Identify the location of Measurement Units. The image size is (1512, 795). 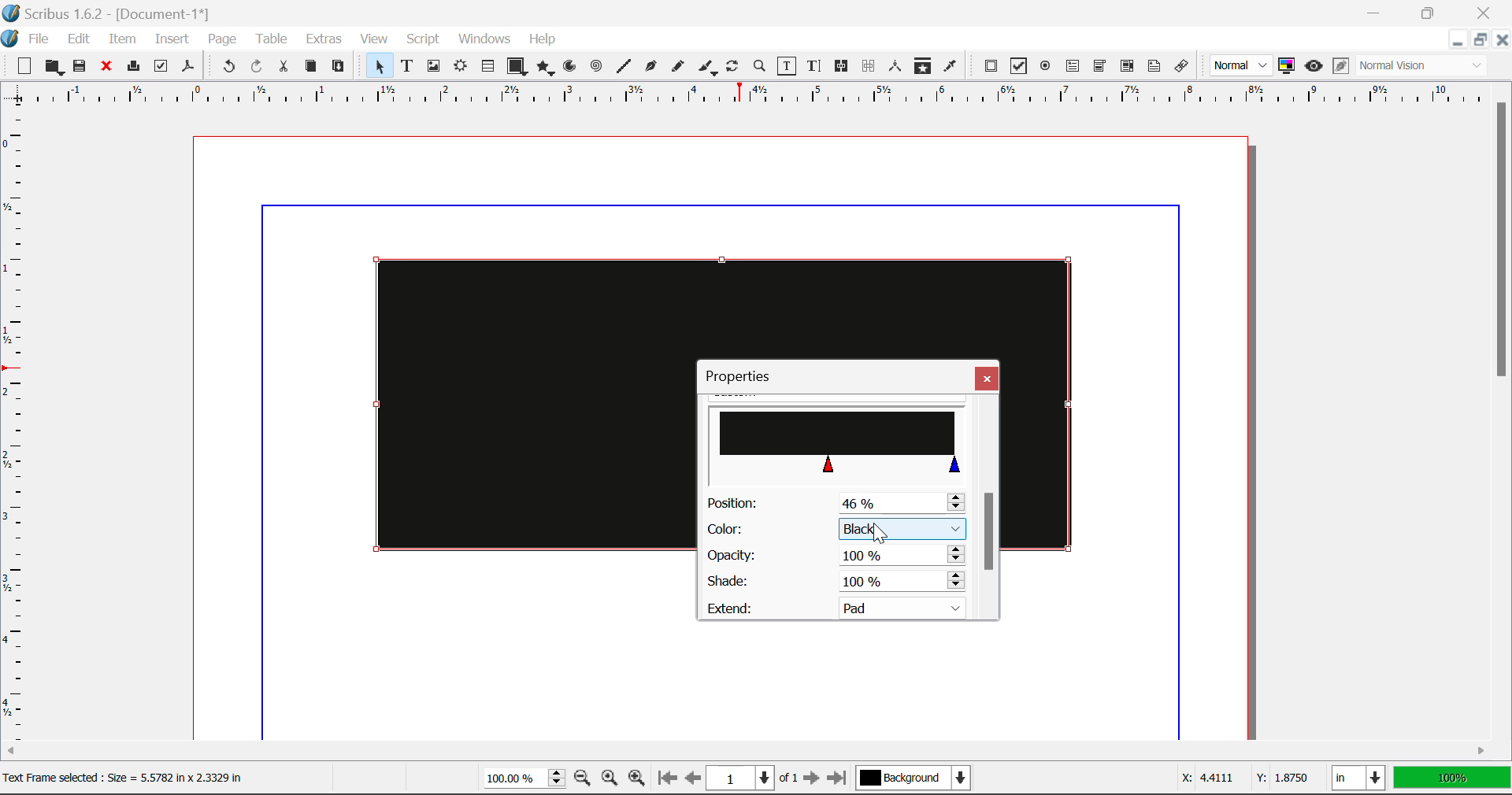
(1360, 780).